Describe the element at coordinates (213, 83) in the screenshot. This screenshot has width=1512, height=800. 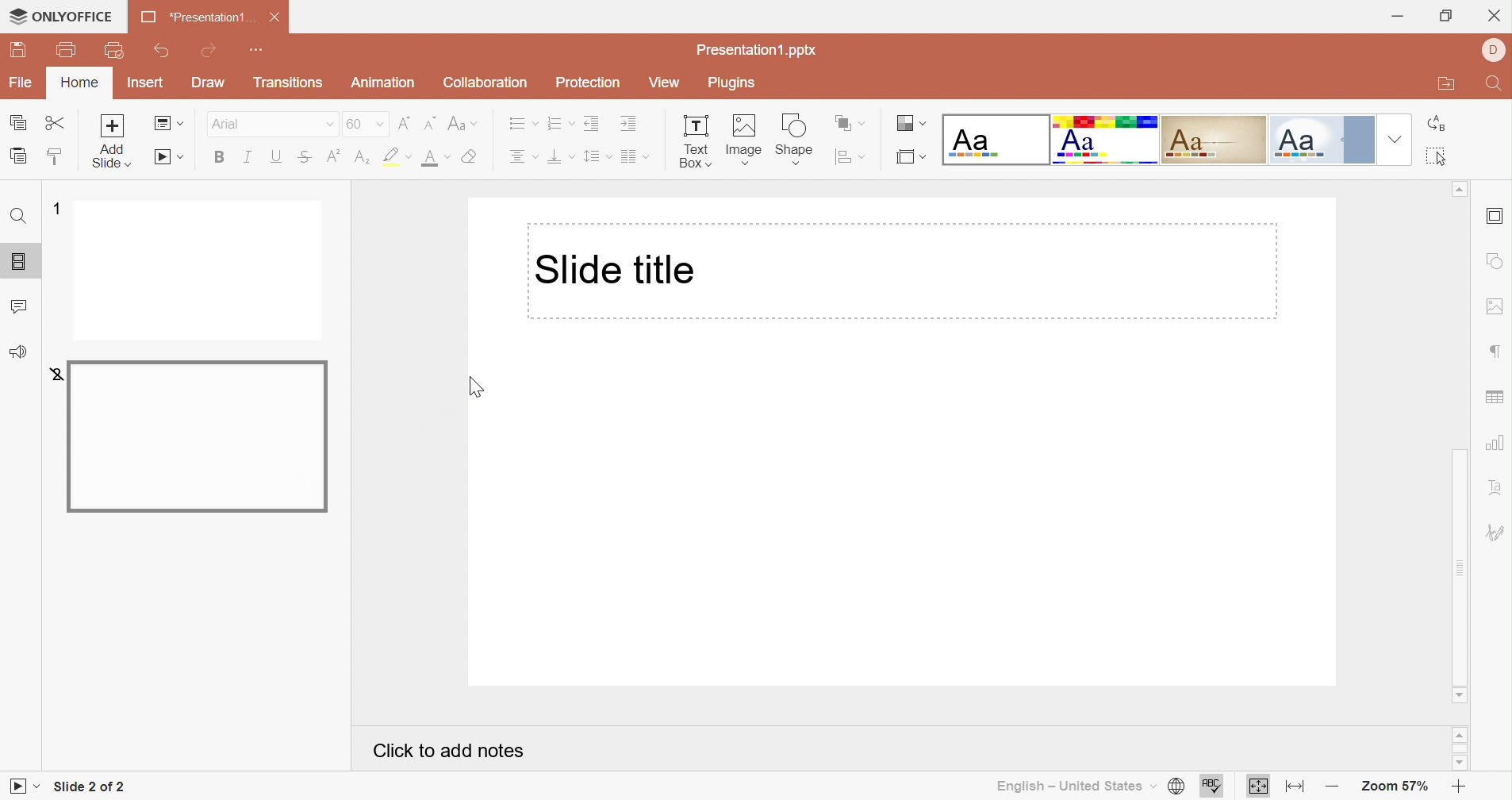
I see `Draw` at that location.